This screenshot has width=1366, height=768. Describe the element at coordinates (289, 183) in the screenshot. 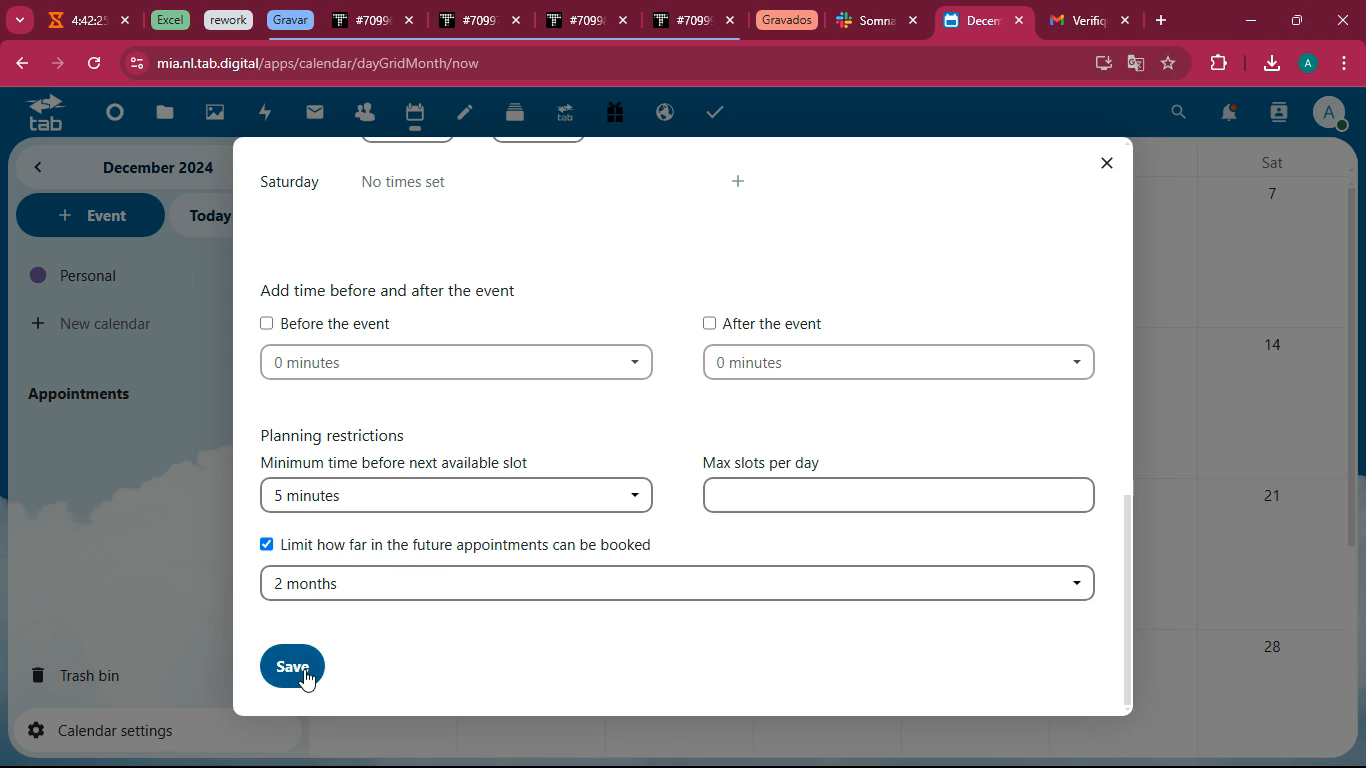

I see `aturday` at that location.